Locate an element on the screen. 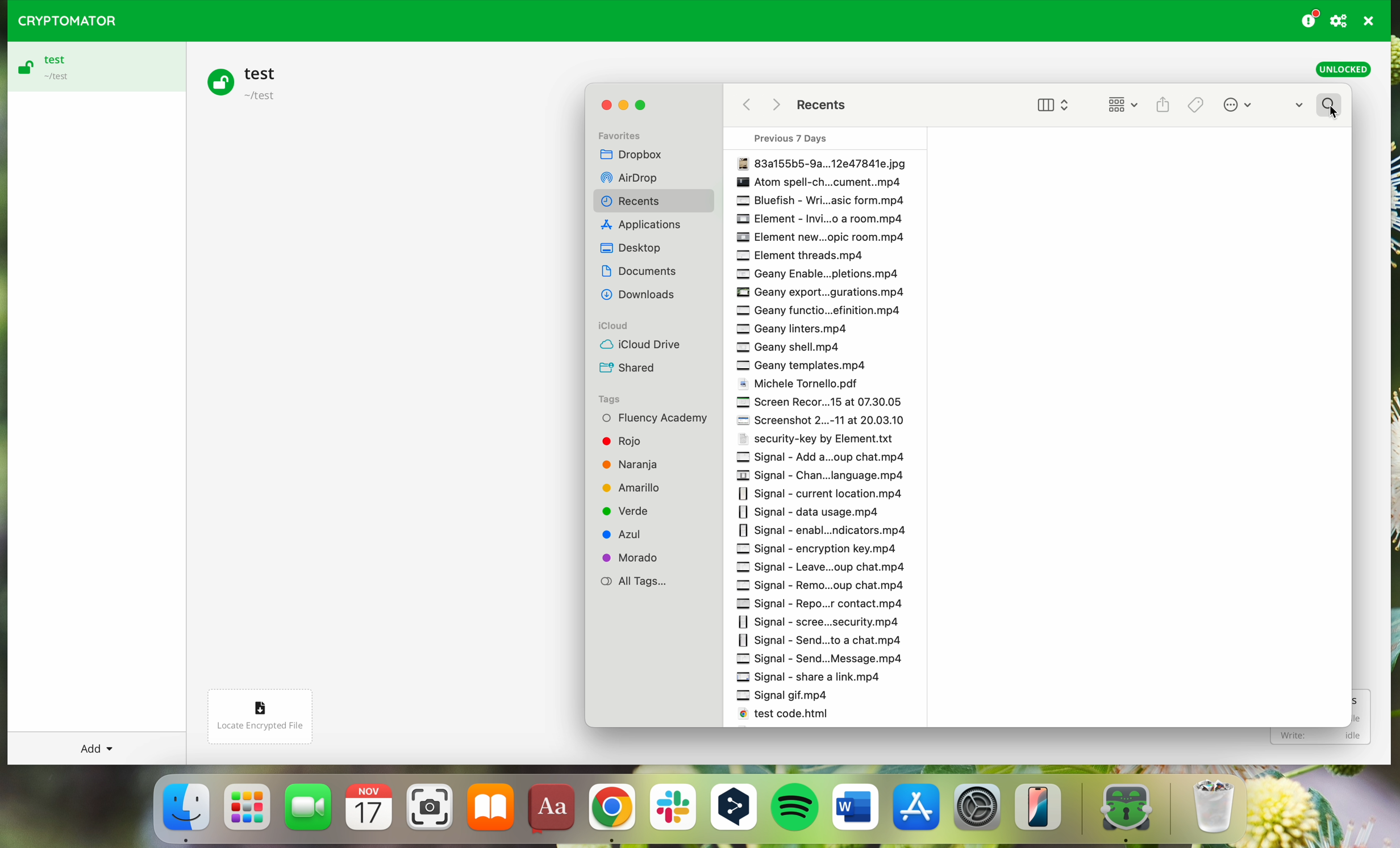 The width and height of the screenshot is (1400, 848). test code html. is located at coordinates (794, 716).